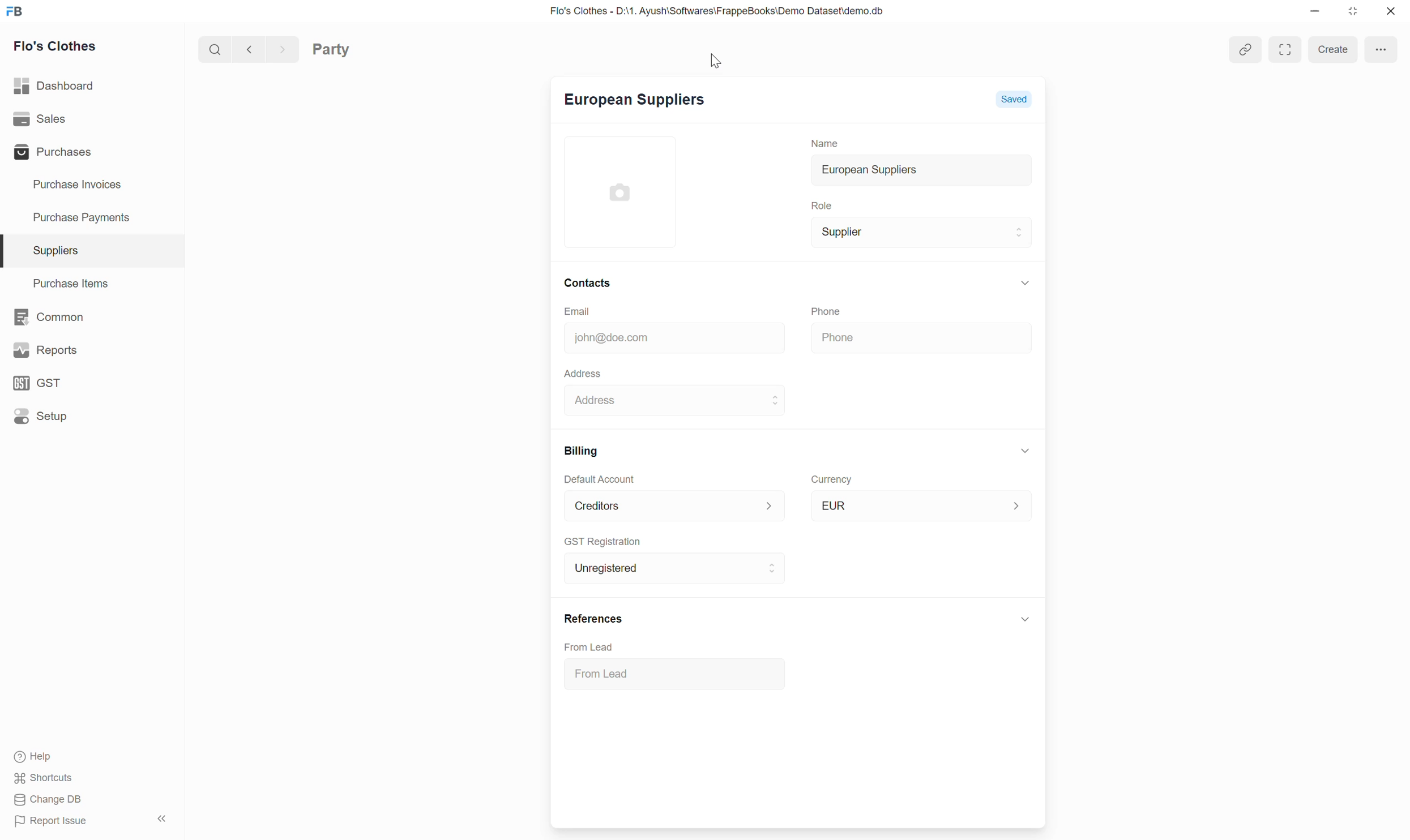 The width and height of the screenshot is (1410, 840). I want to click on Phone, so click(839, 309).